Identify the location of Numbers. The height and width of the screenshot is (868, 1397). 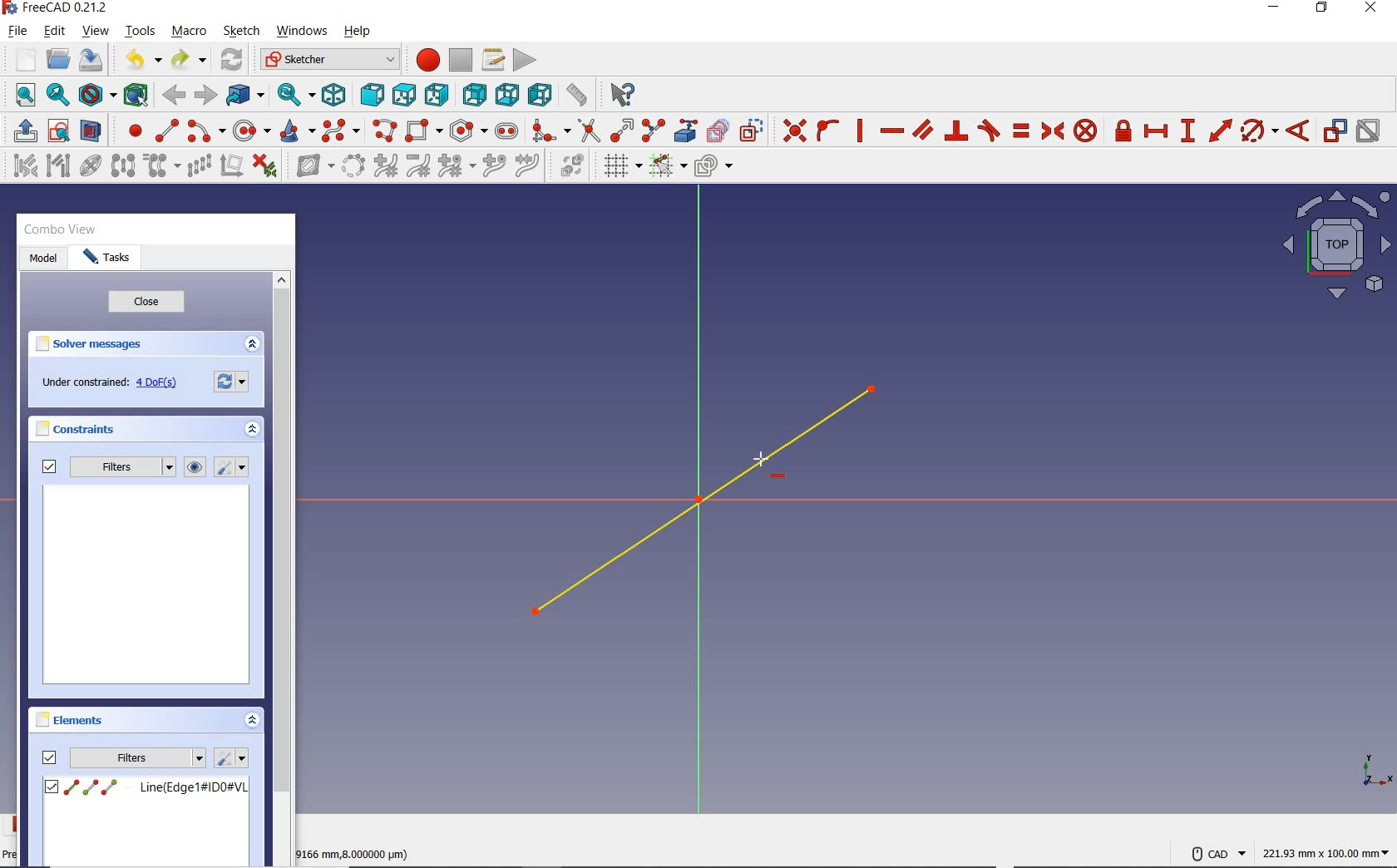
(356, 853).